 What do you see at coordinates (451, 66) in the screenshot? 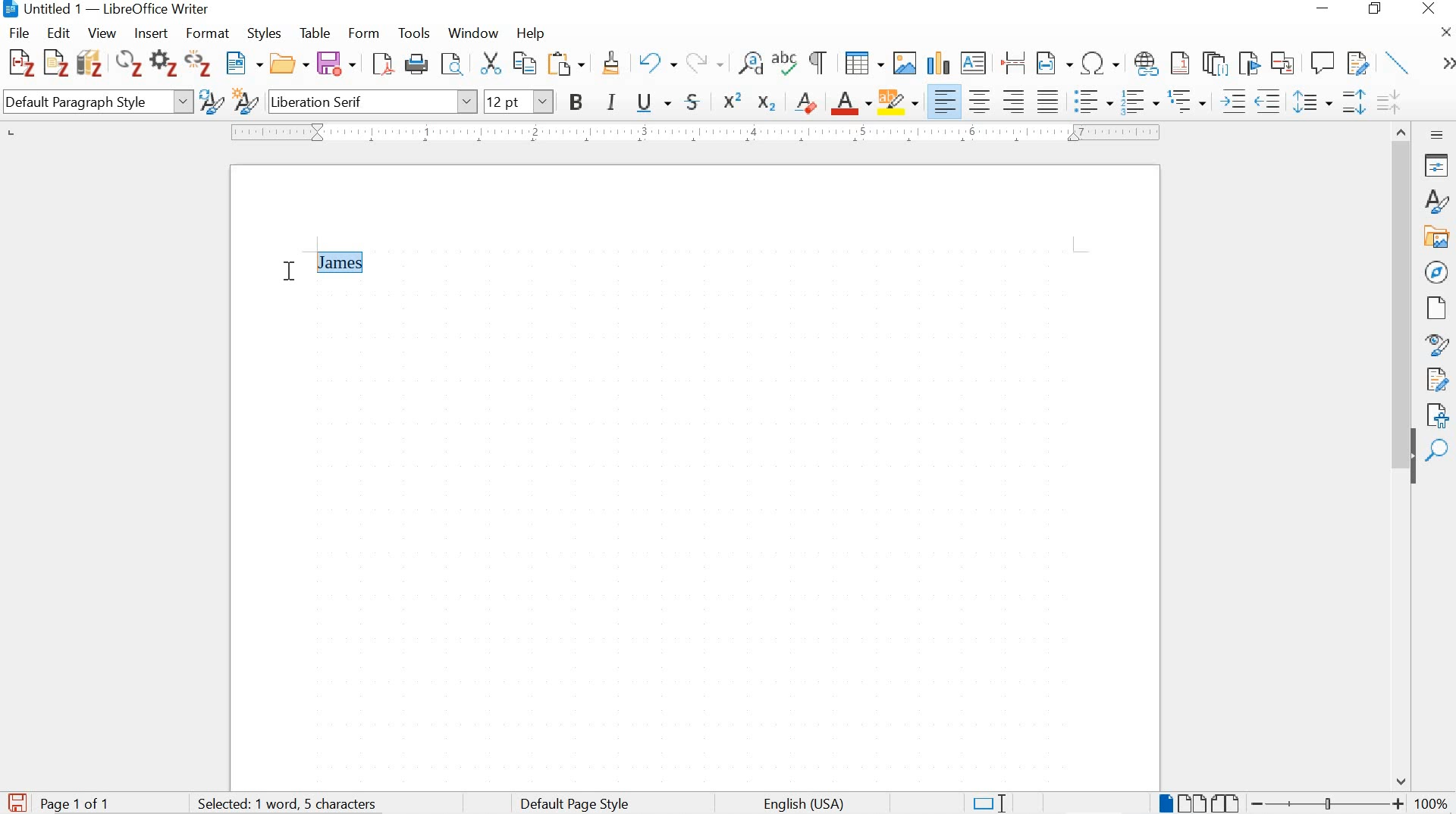
I see `toggle print preview` at bounding box center [451, 66].